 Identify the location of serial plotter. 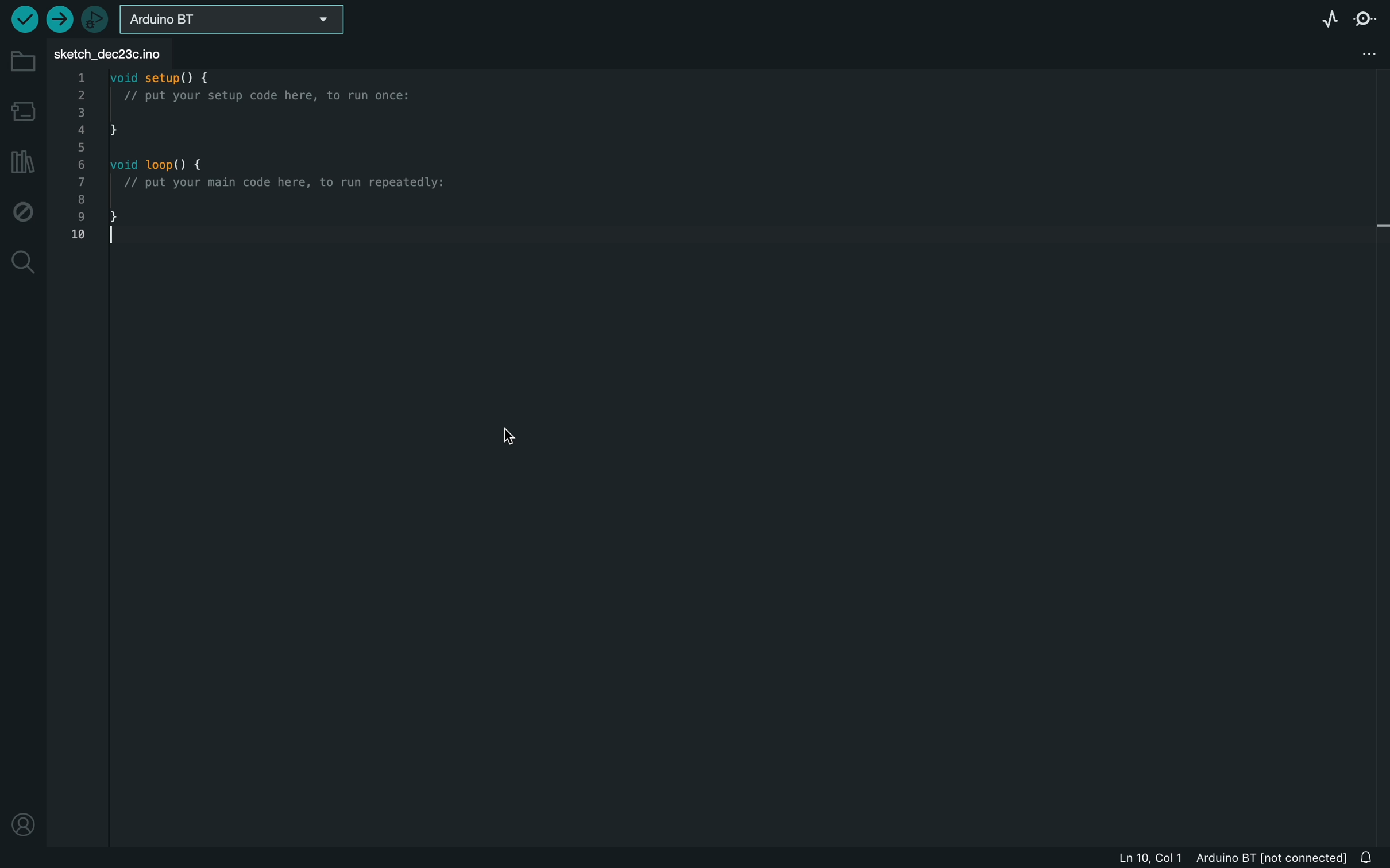
(1322, 17).